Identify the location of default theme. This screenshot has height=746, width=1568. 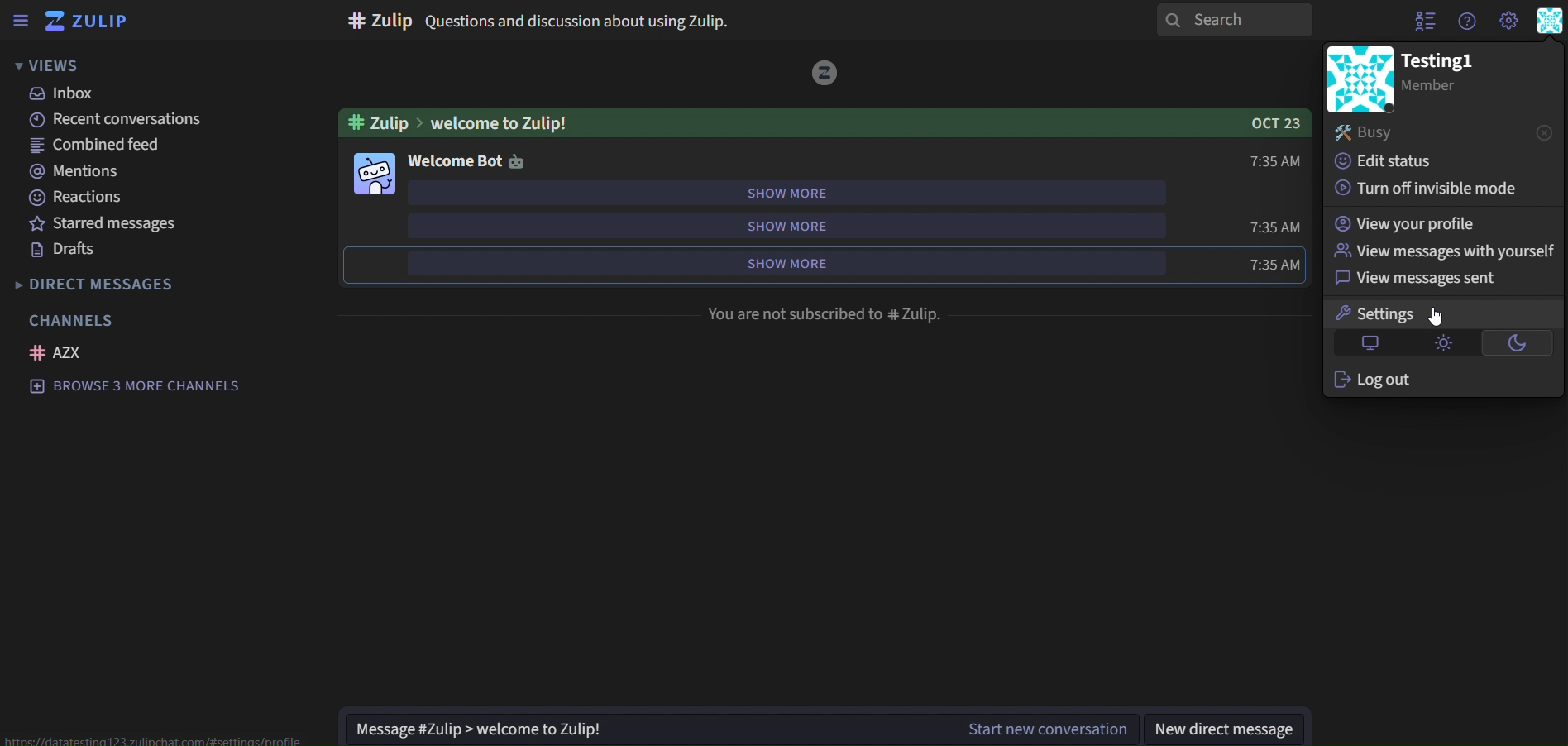
(1365, 345).